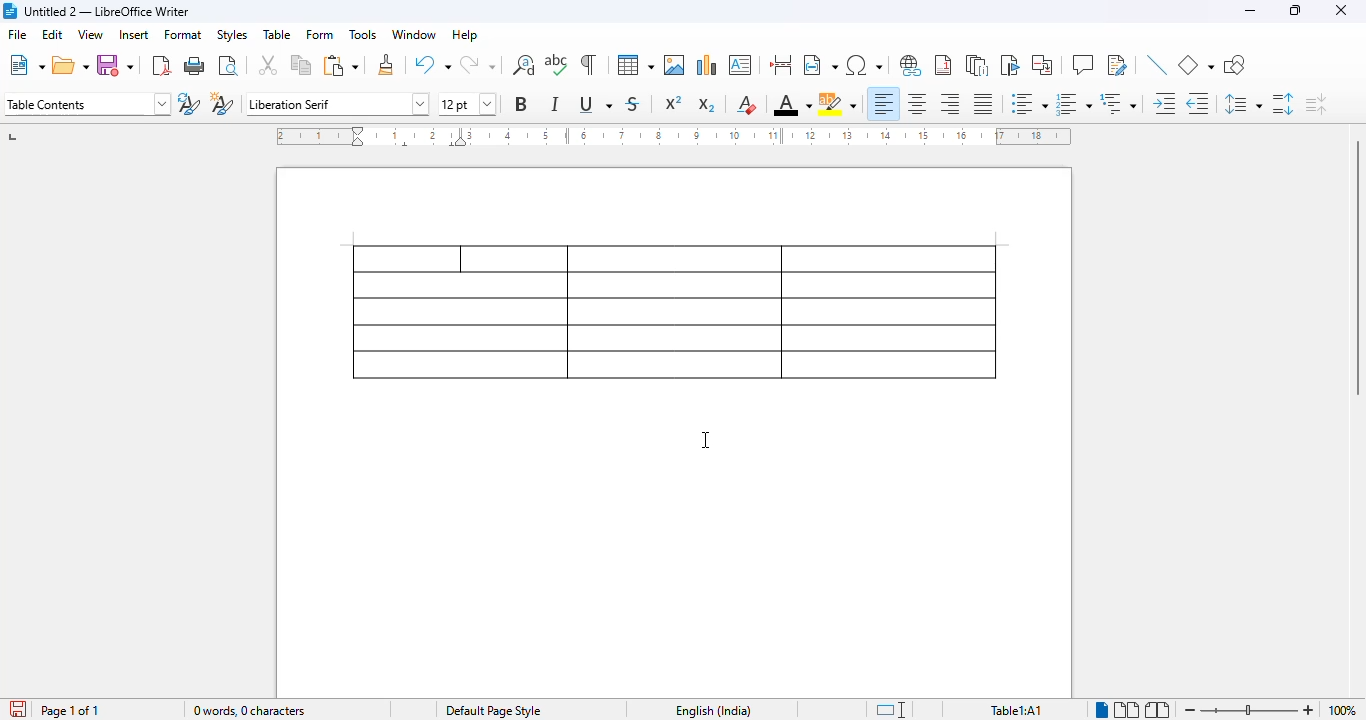 The width and height of the screenshot is (1366, 720). Describe the element at coordinates (71, 66) in the screenshot. I see `open` at that location.